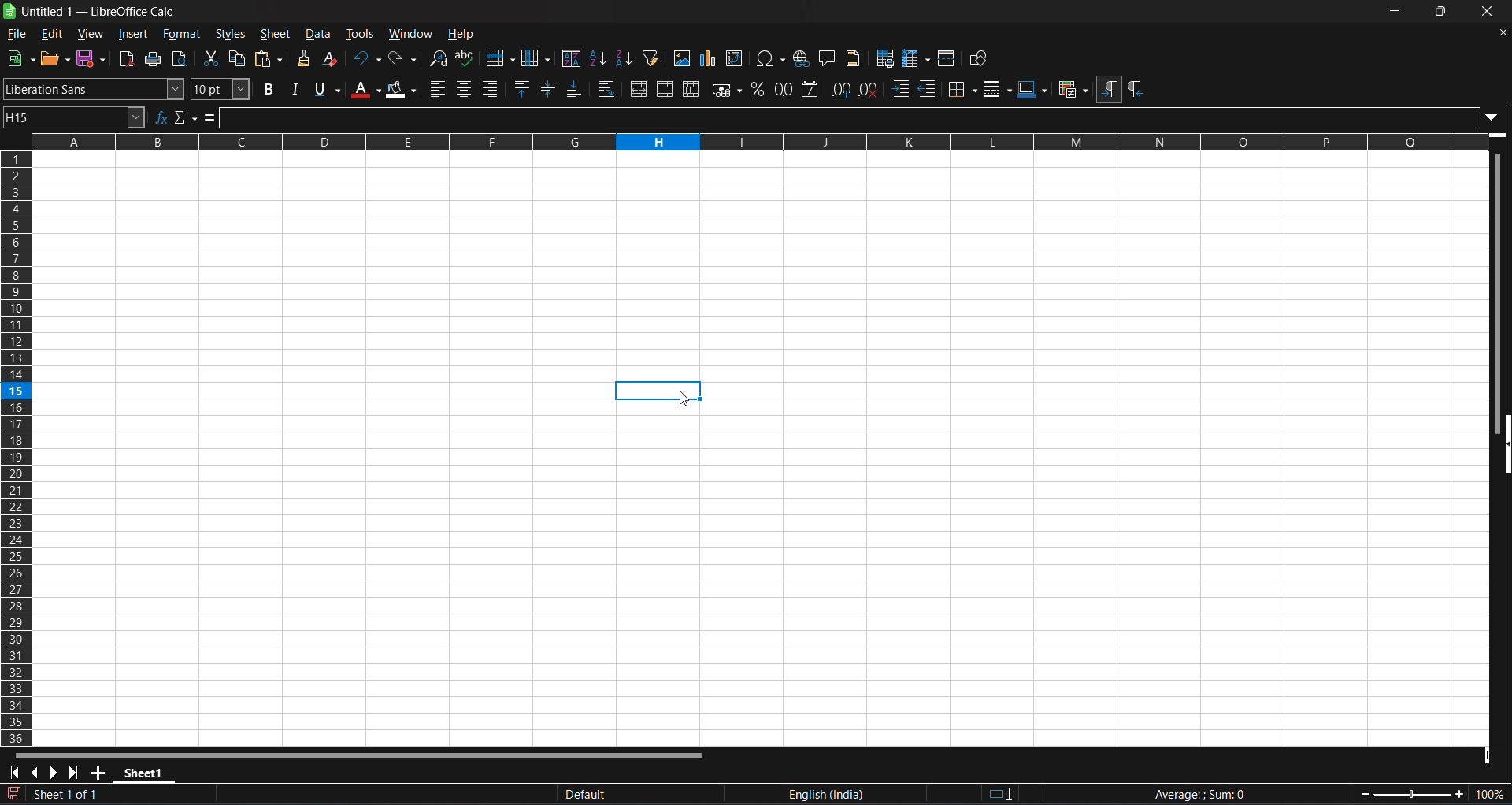 The width and height of the screenshot is (1512, 805). Describe the element at coordinates (1135, 90) in the screenshot. I see `right to left` at that location.